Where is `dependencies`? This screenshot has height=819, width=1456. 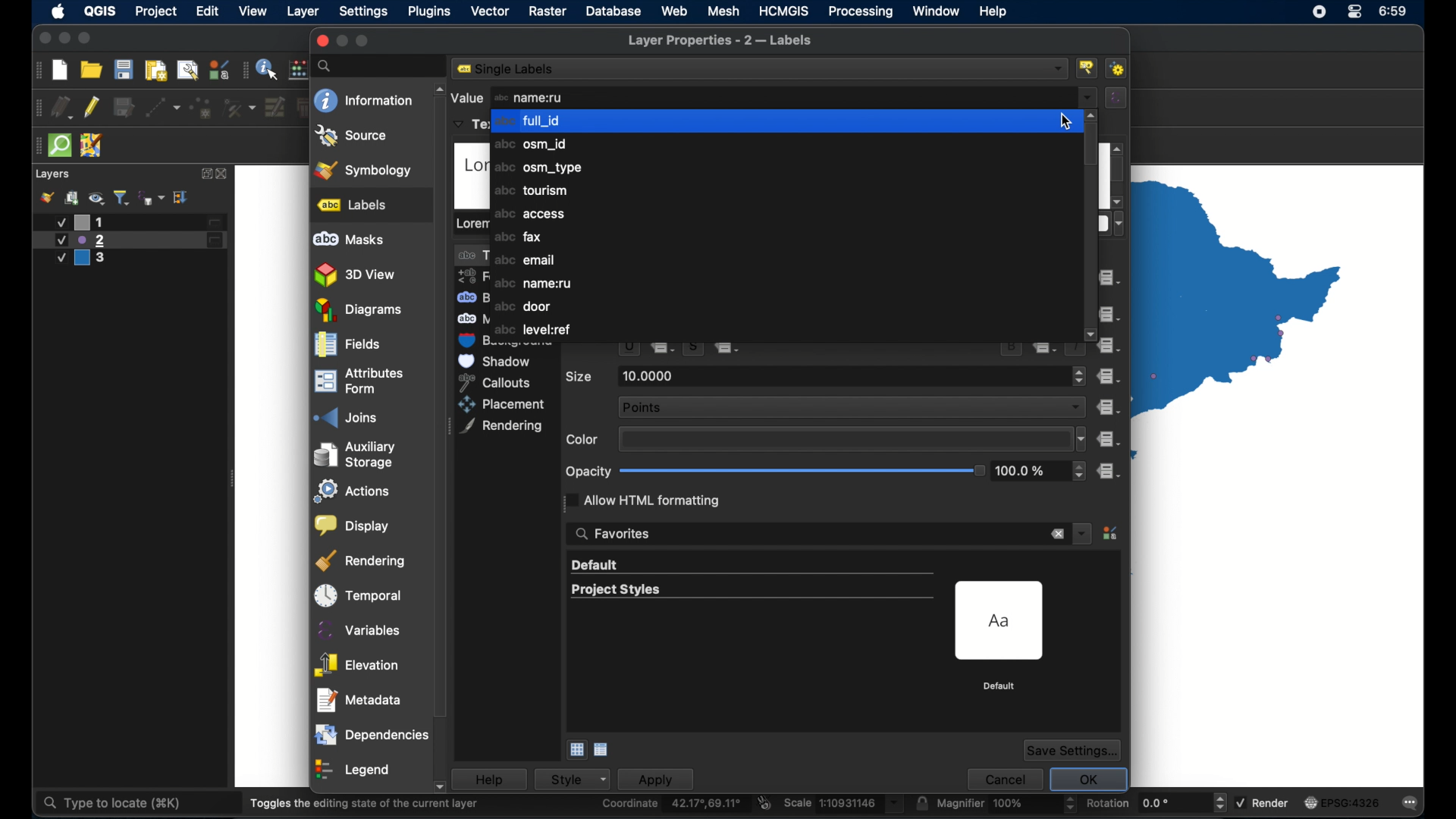 dependencies is located at coordinates (371, 732).